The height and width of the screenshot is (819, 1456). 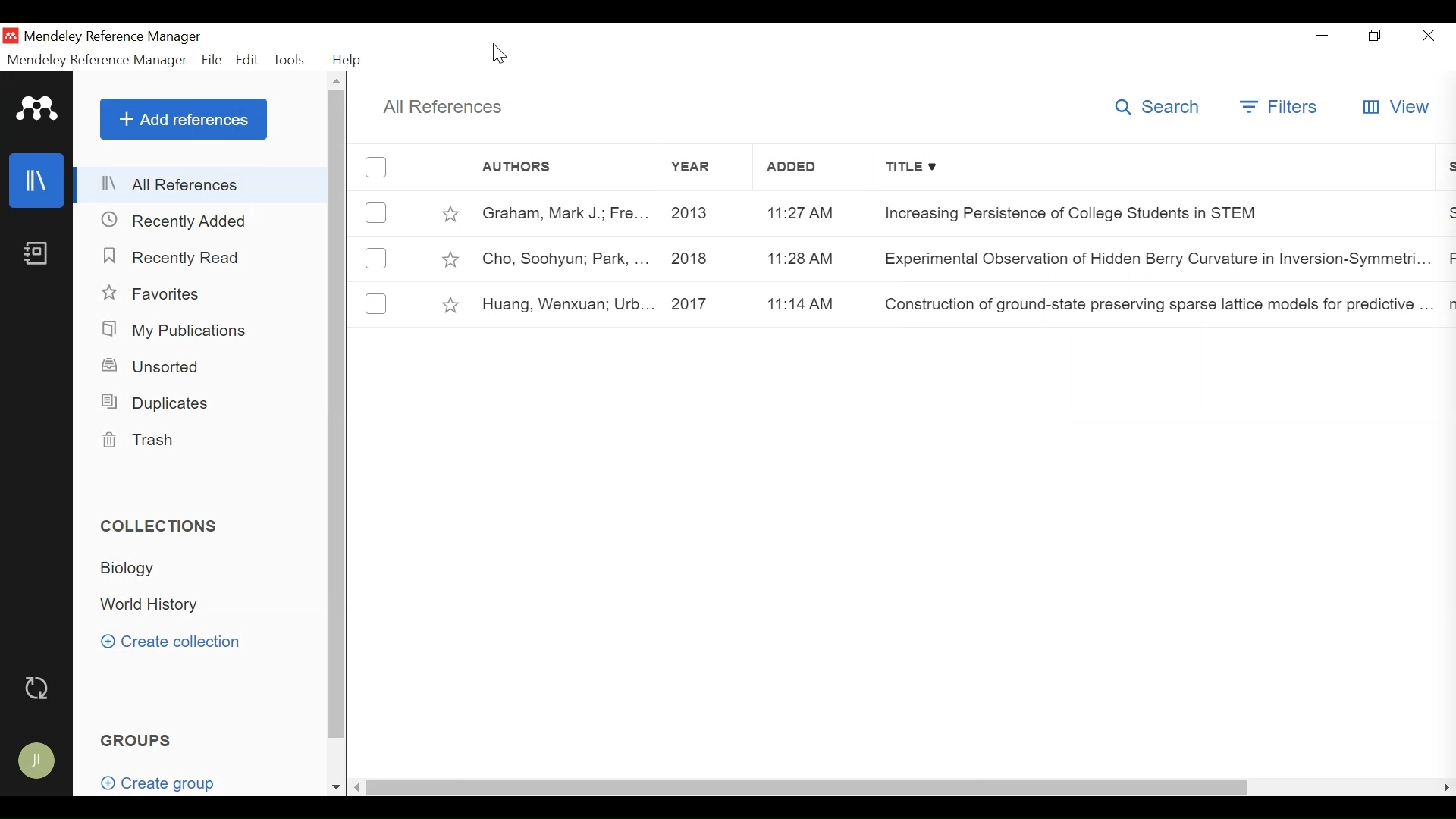 I want to click on View, so click(x=1395, y=108).